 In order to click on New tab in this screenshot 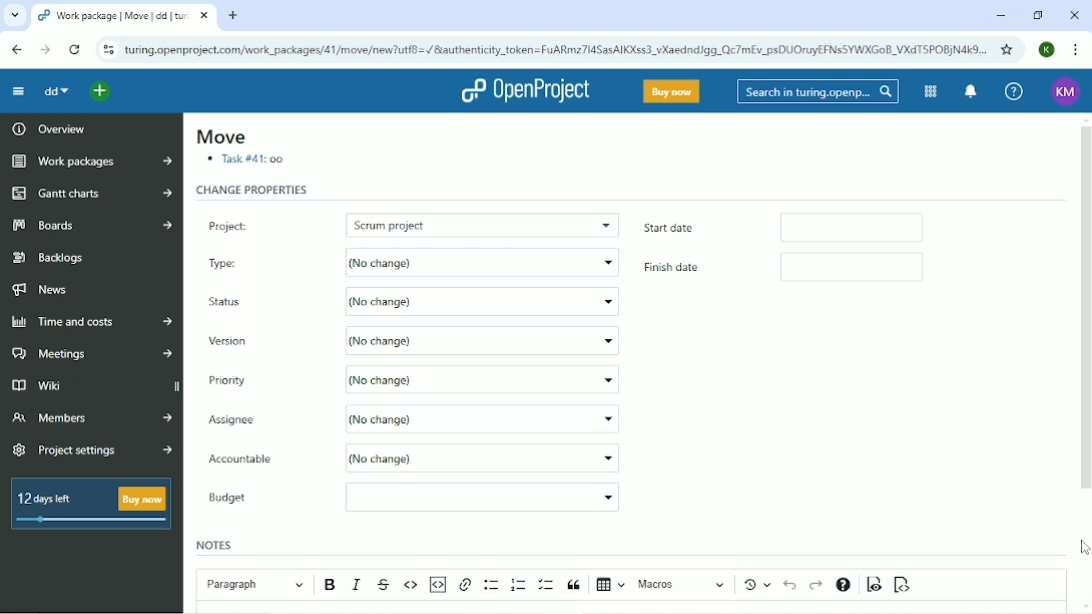, I will do `click(233, 15)`.